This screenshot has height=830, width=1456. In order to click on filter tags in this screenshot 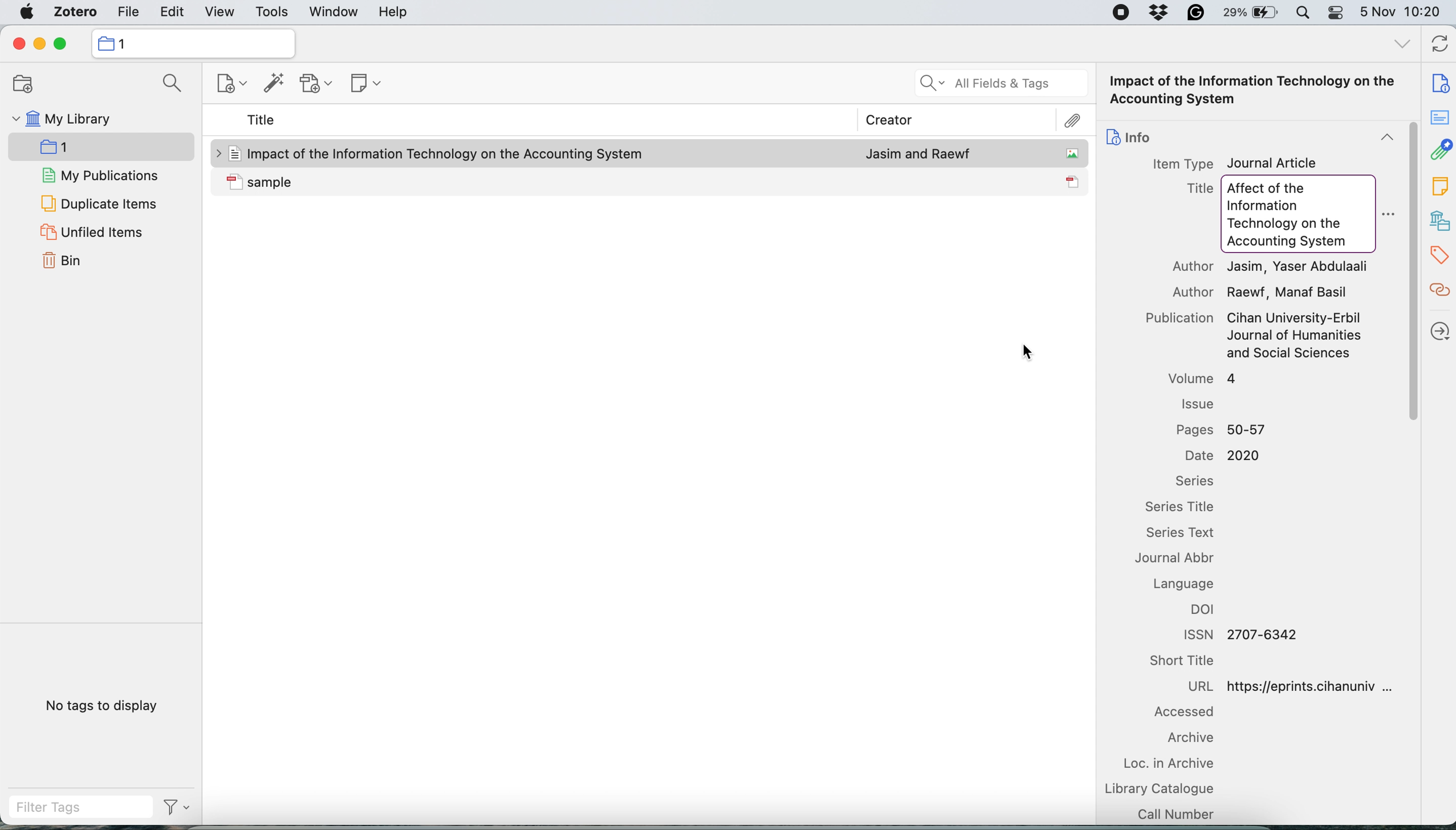, I will do `click(83, 808)`.